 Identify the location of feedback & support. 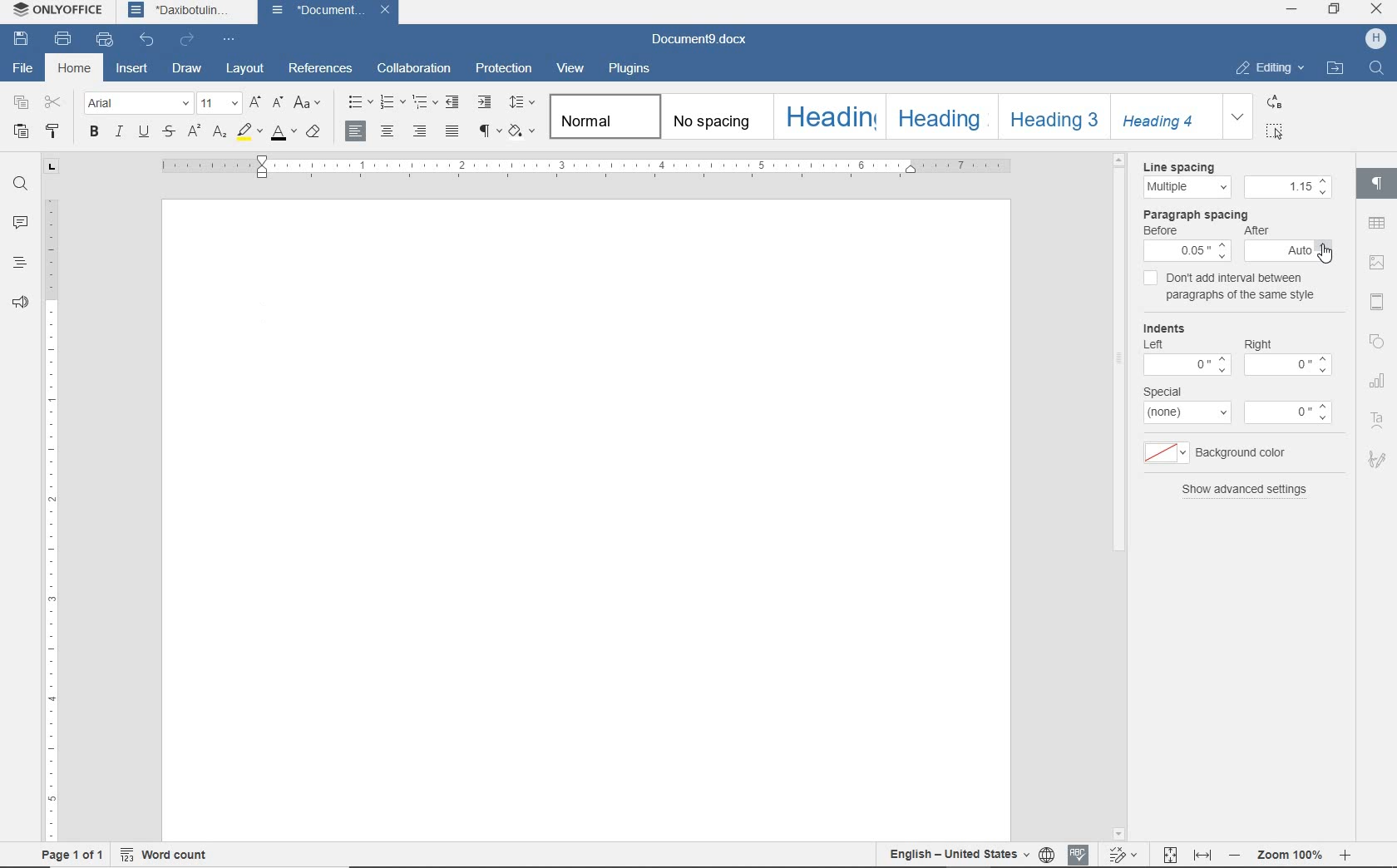
(20, 304).